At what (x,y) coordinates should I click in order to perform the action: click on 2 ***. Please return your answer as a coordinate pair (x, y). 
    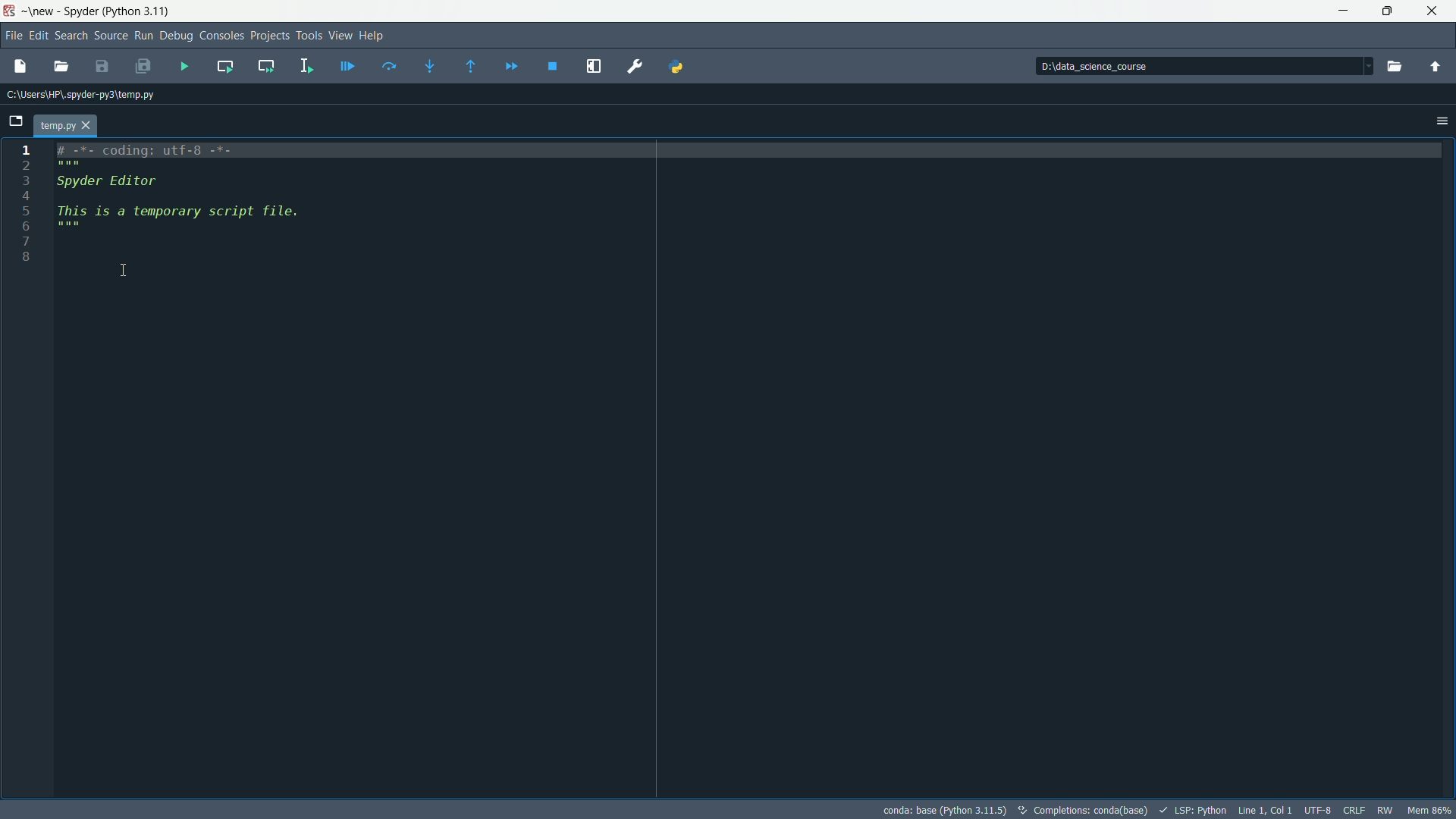
    Looking at the image, I should click on (155, 164).